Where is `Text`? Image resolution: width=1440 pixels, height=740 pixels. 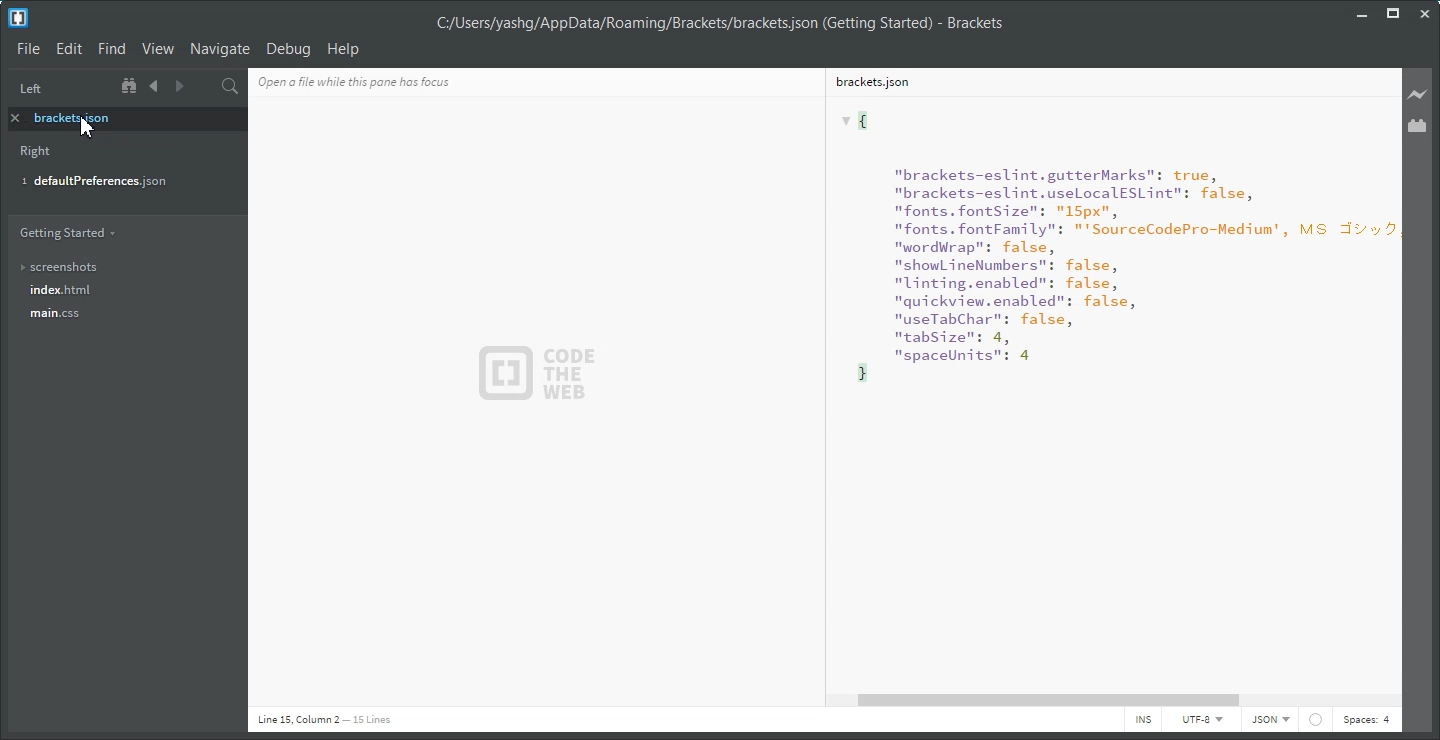 Text is located at coordinates (1106, 392).